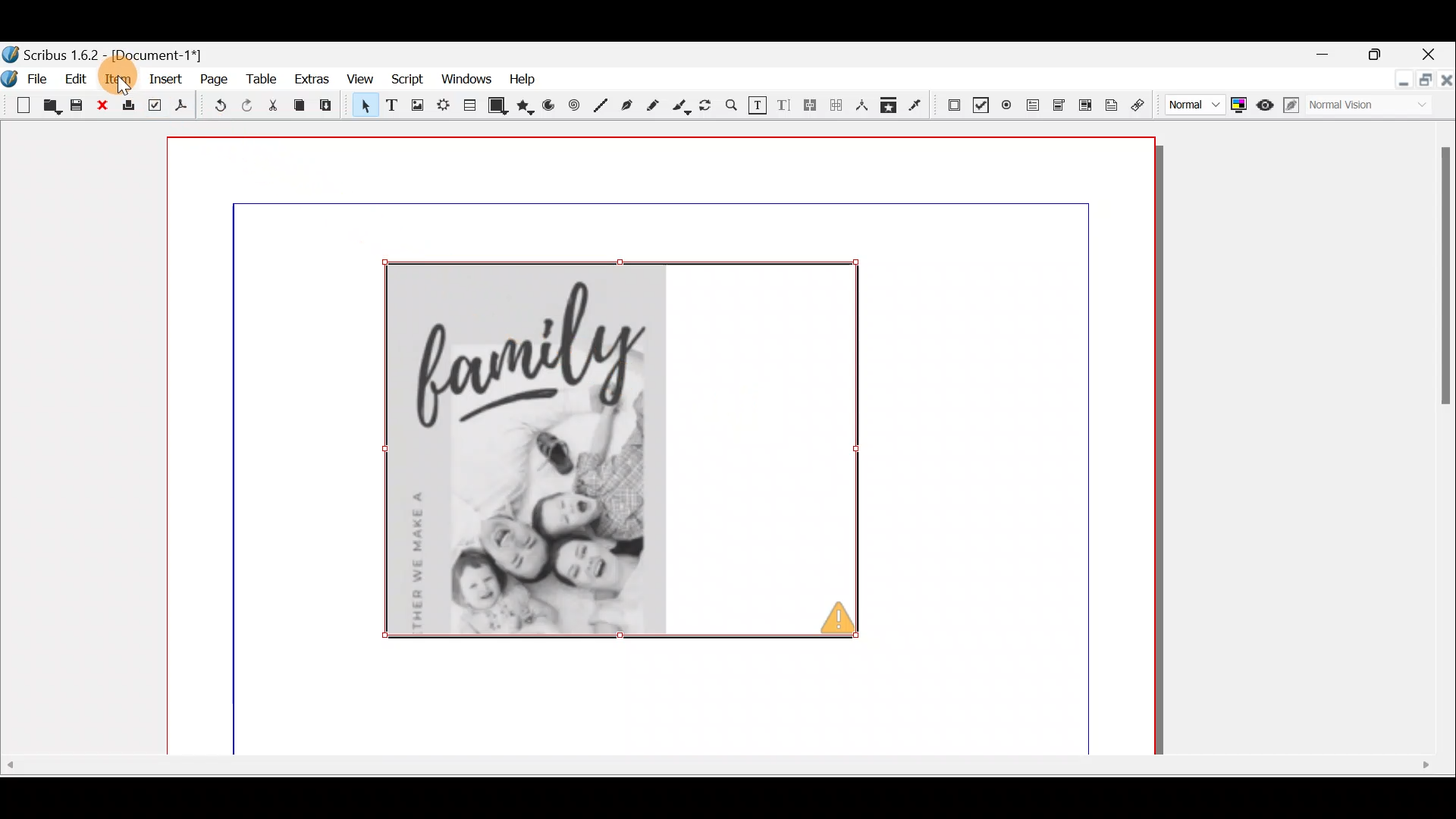 This screenshot has height=819, width=1456. Describe the element at coordinates (758, 105) in the screenshot. I see `Edit contents of frame` at that location.